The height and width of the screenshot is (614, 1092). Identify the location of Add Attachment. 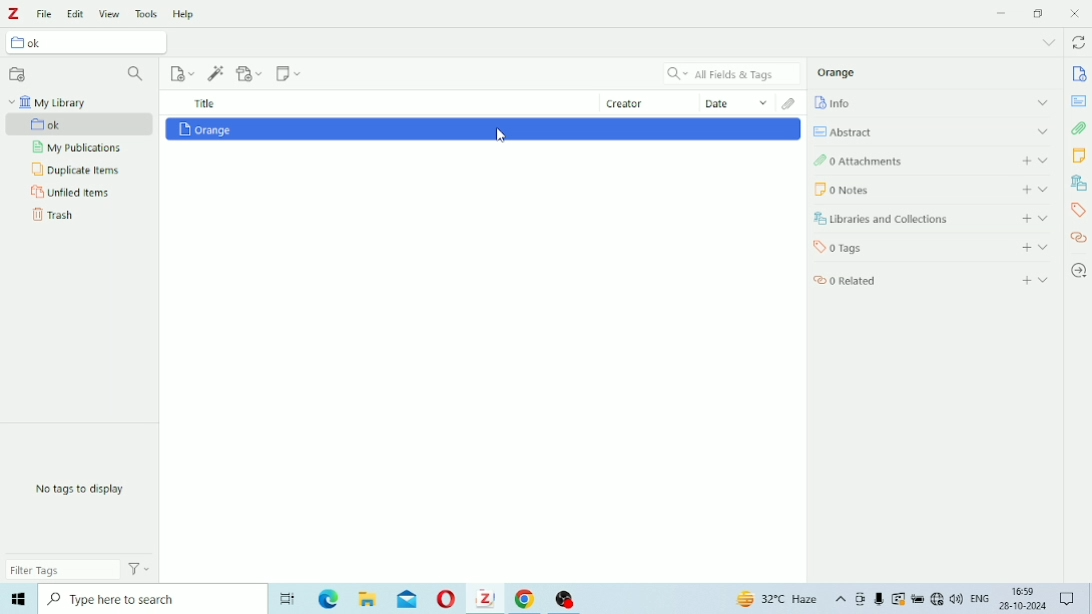
(251, 72).